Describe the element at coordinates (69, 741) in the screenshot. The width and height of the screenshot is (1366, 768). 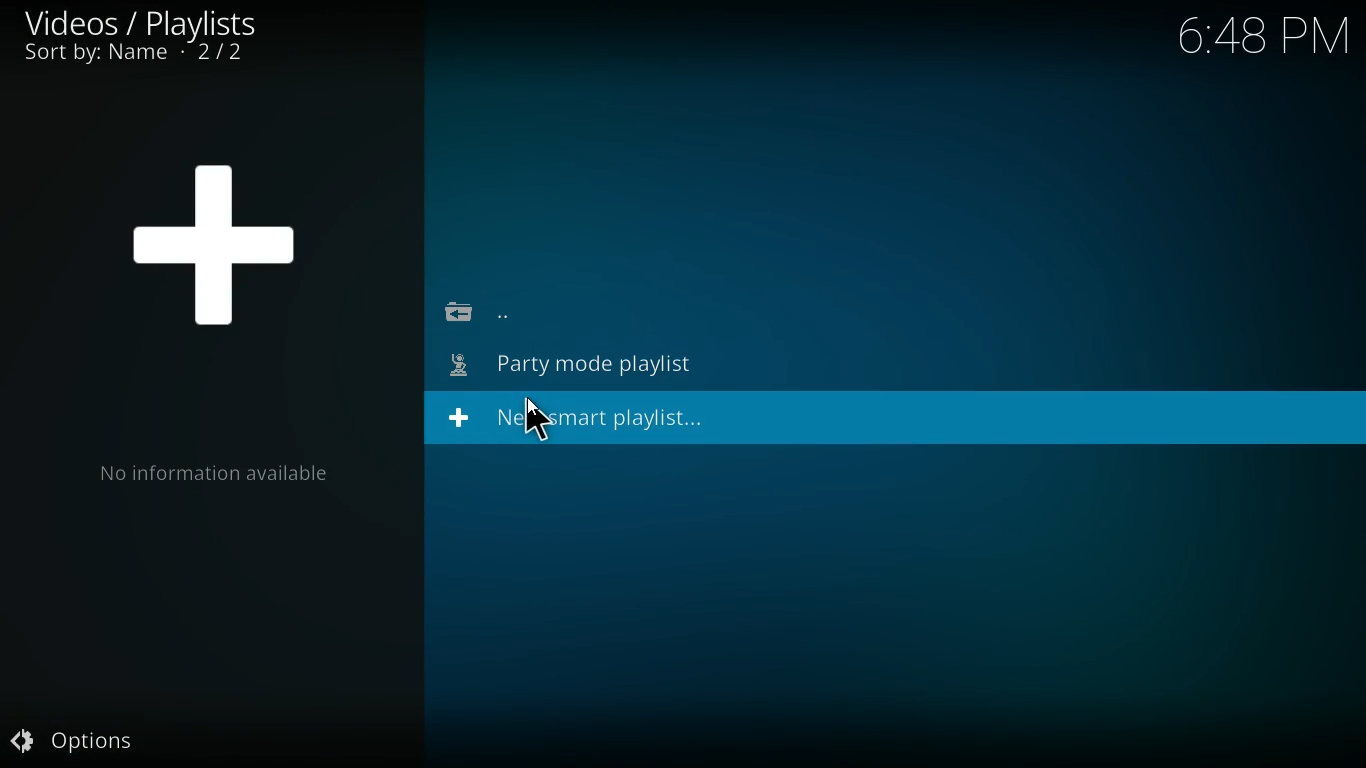
I see `options` at that location.